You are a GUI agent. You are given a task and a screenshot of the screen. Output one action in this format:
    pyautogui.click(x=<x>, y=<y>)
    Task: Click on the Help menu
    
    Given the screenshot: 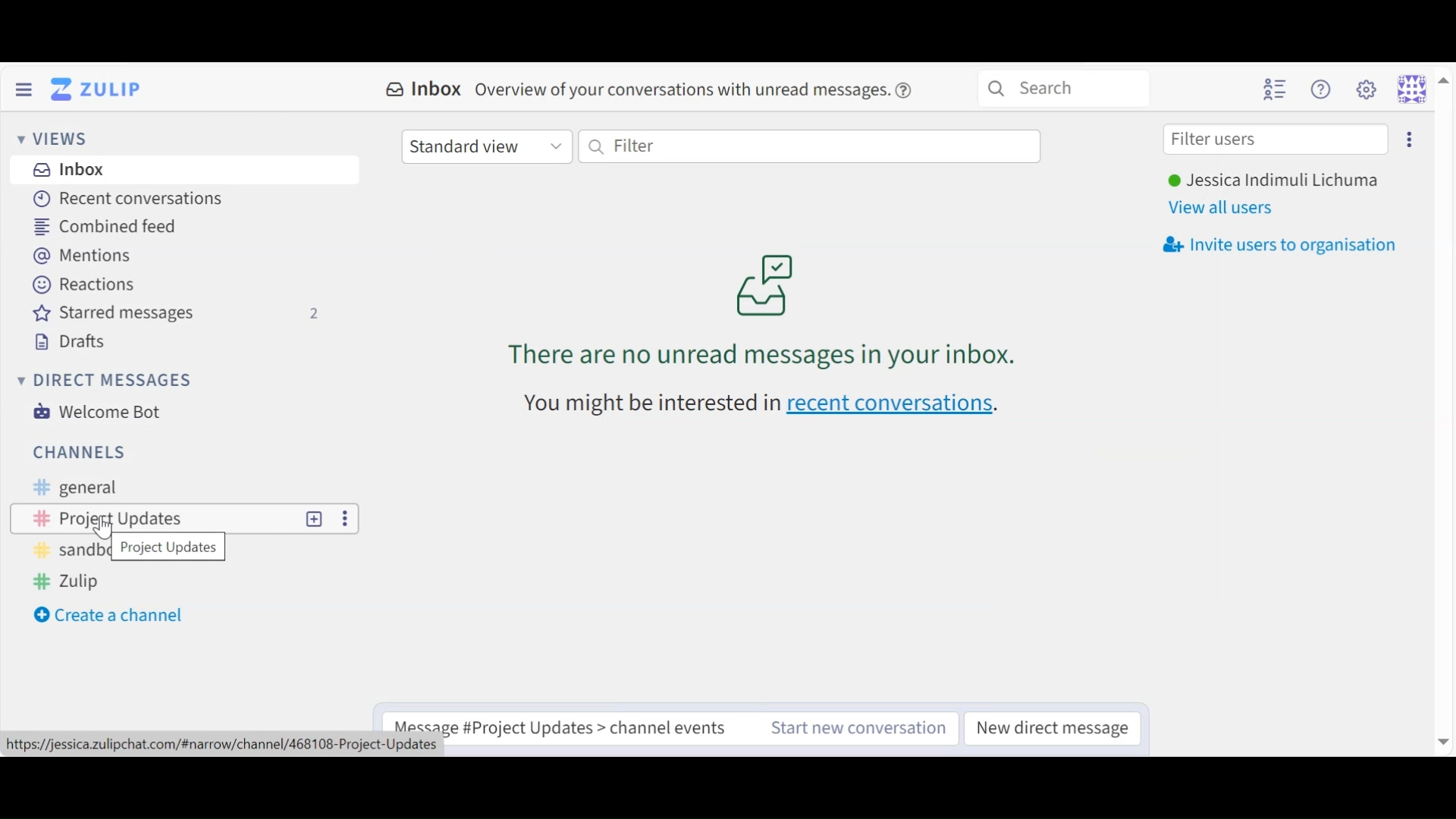 What is the action you would take?
    pyautogui.click(x=1323, y=89)
    